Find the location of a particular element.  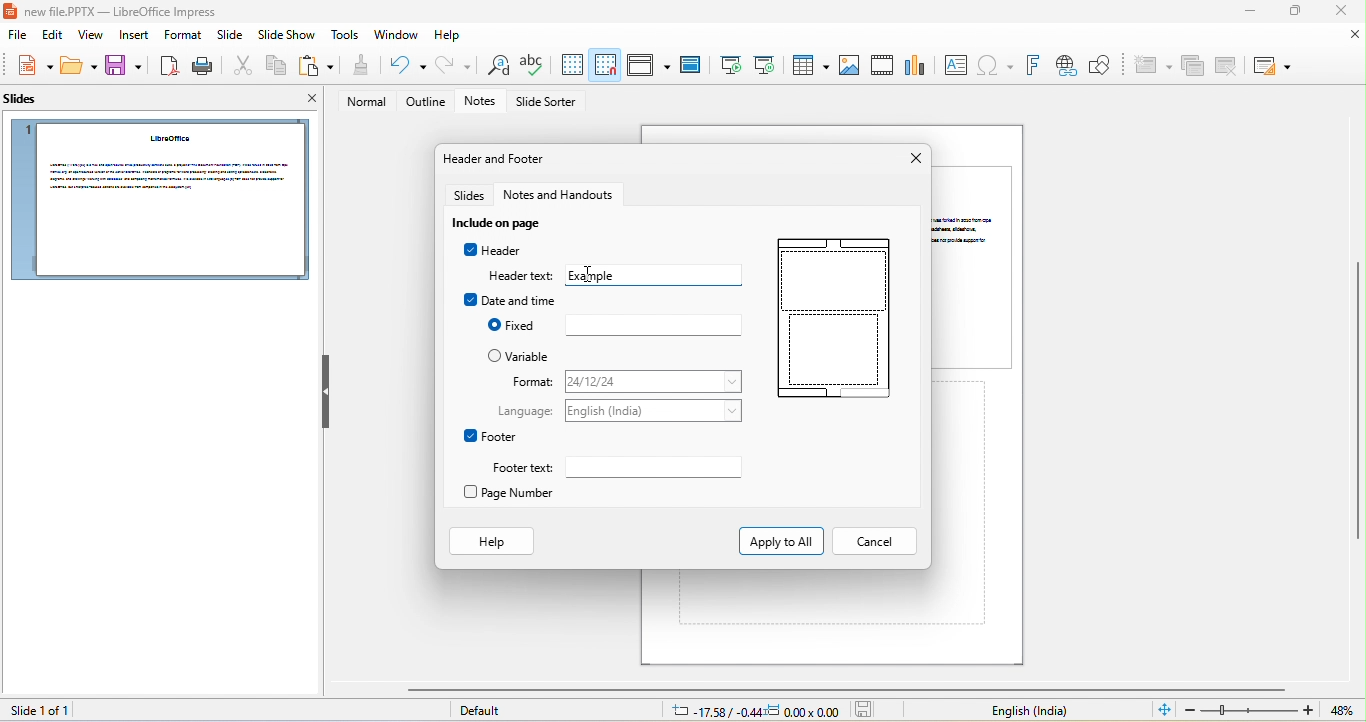

Header text: is located at coordinates (521, 276).